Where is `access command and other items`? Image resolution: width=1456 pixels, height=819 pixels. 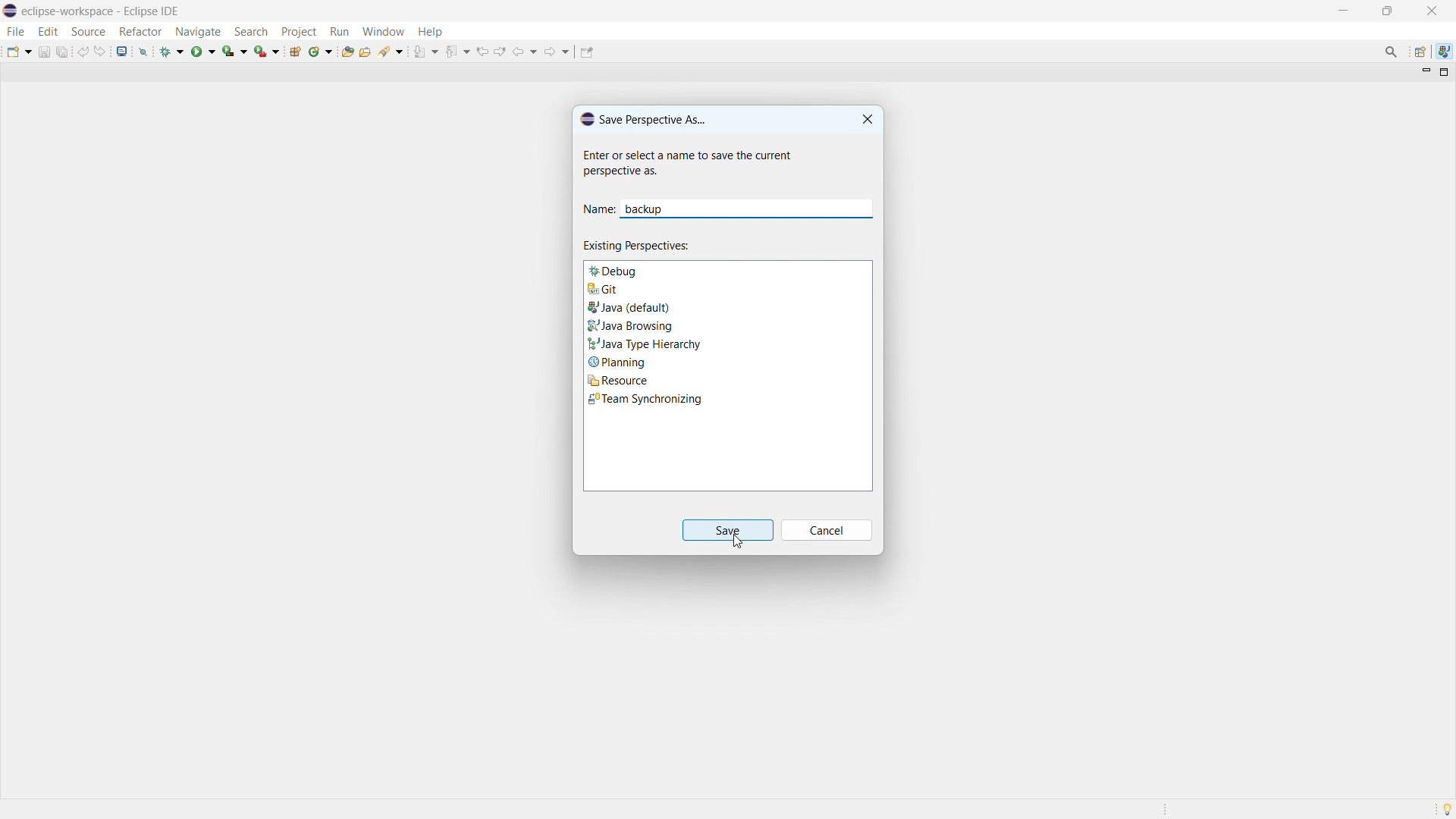
access command and other items is located at coordinates (1391, 51).